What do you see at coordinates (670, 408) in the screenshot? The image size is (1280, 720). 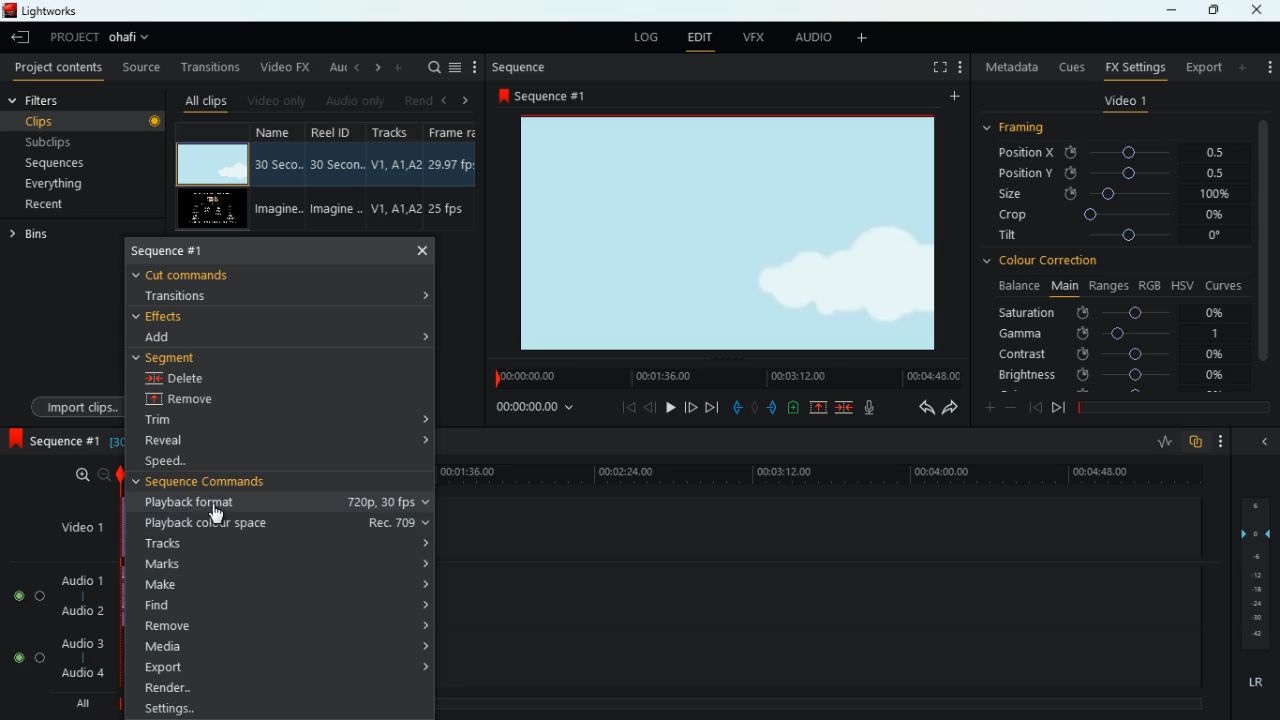 I see `play` at bounding box center [670, 408].